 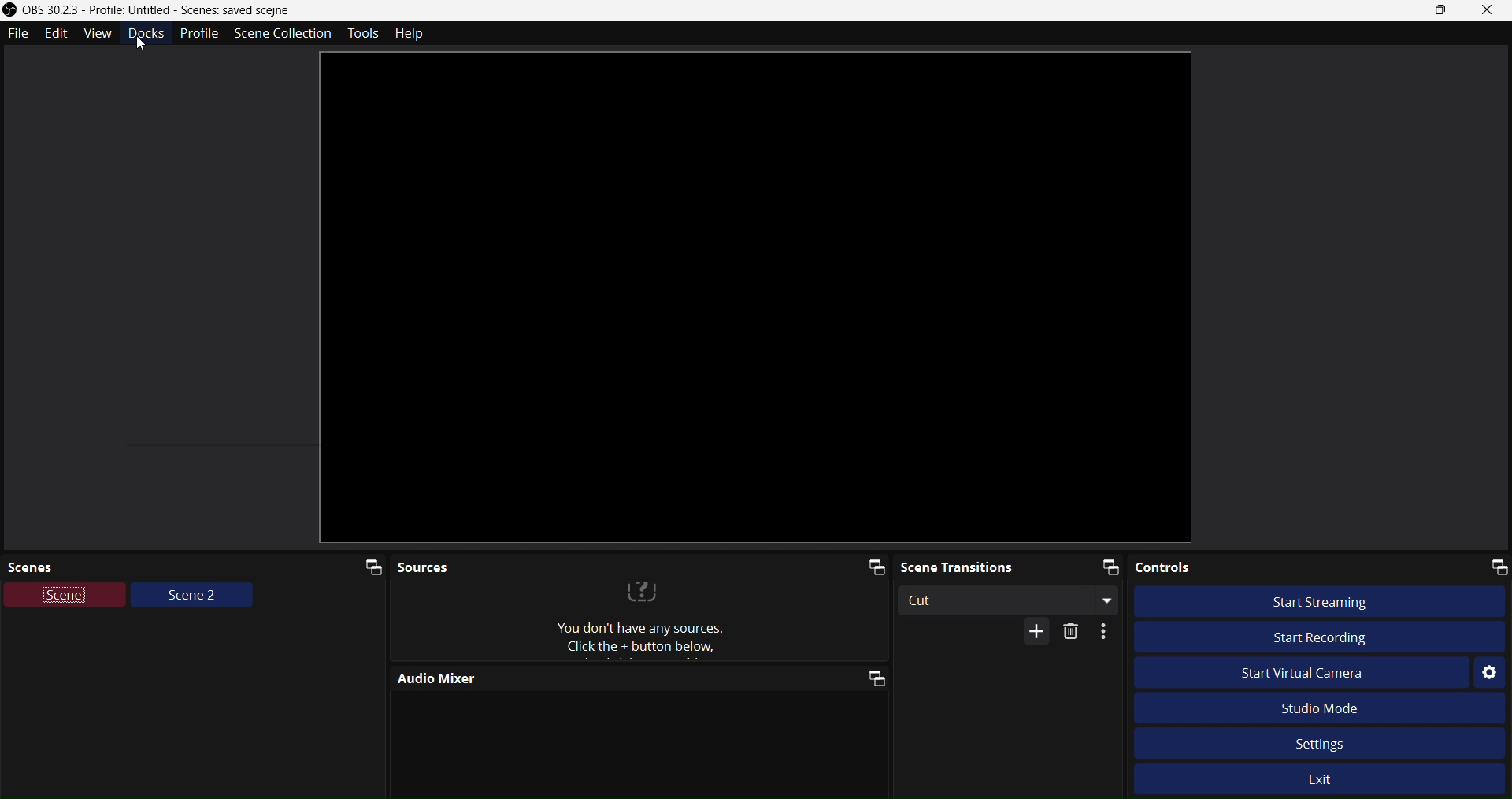 What do you see at coordinates (995, 600) in the screenshot?
I see `Cut` at bounding box center [995, 600].